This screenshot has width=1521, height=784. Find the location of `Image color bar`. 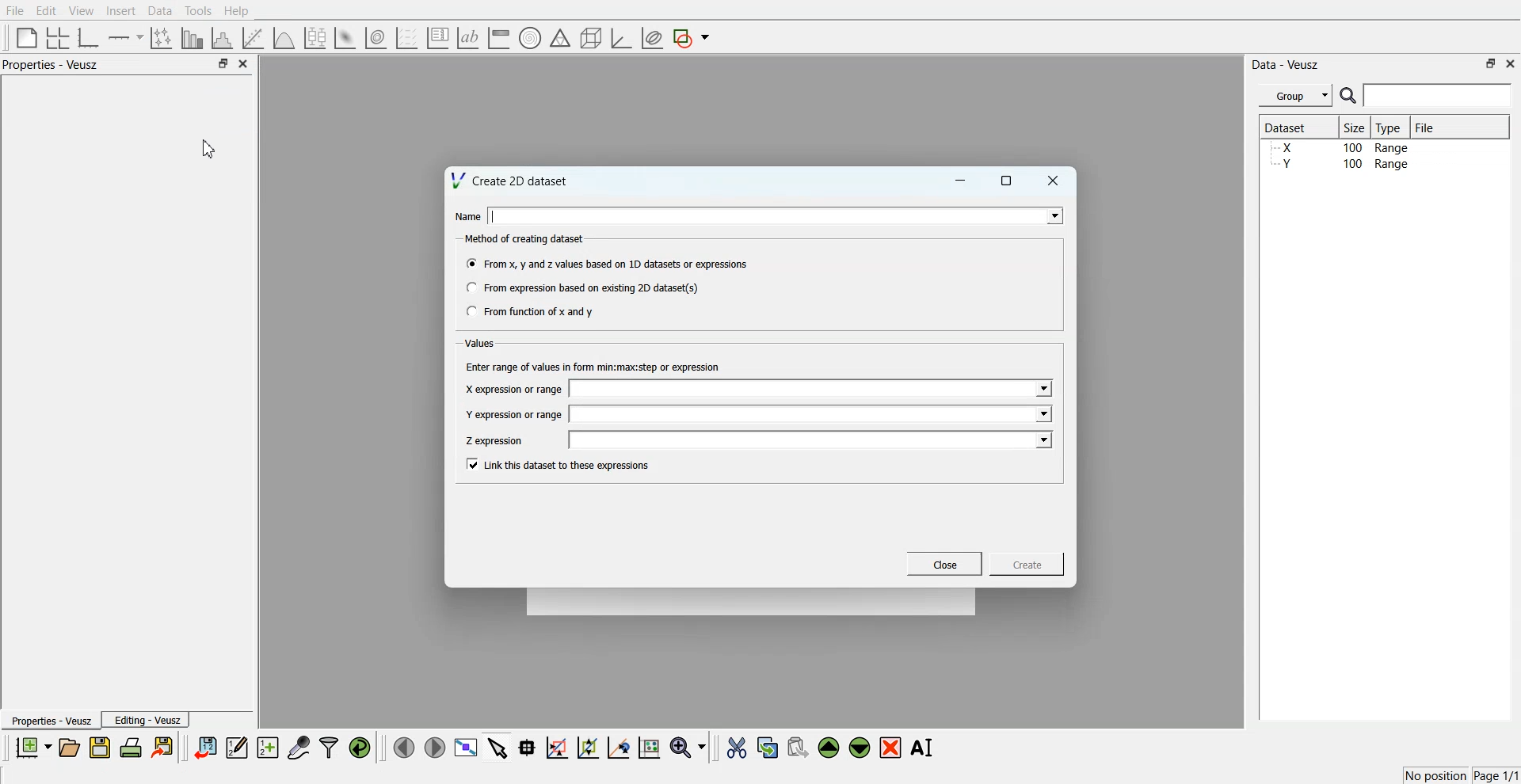

Image color bar is located at coordinates (499, 37).